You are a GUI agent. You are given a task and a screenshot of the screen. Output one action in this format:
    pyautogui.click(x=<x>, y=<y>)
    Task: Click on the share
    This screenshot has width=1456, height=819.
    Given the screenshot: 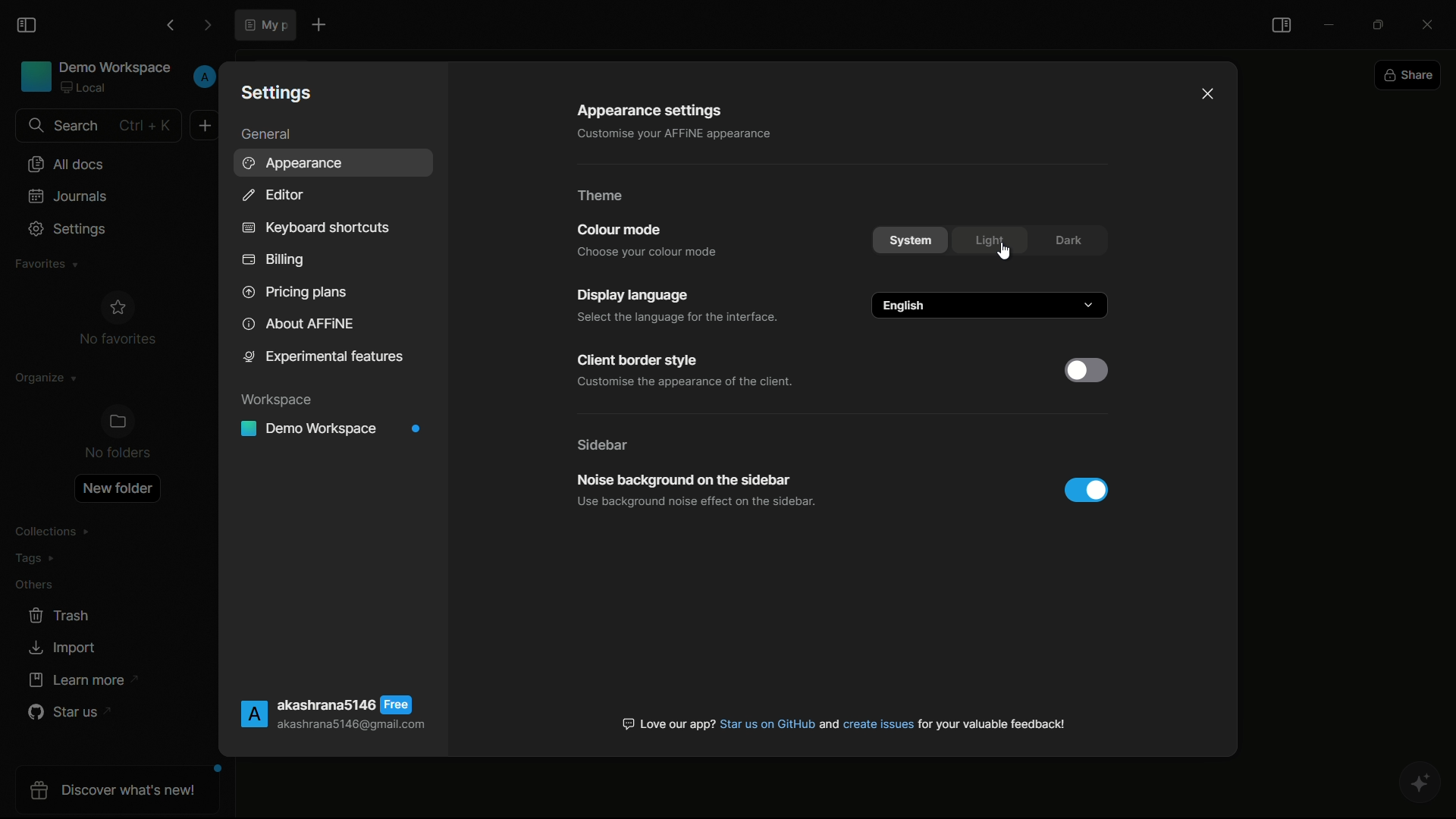 What is the action you would take?
    pyautogui.click(x=1410, y=77)
    